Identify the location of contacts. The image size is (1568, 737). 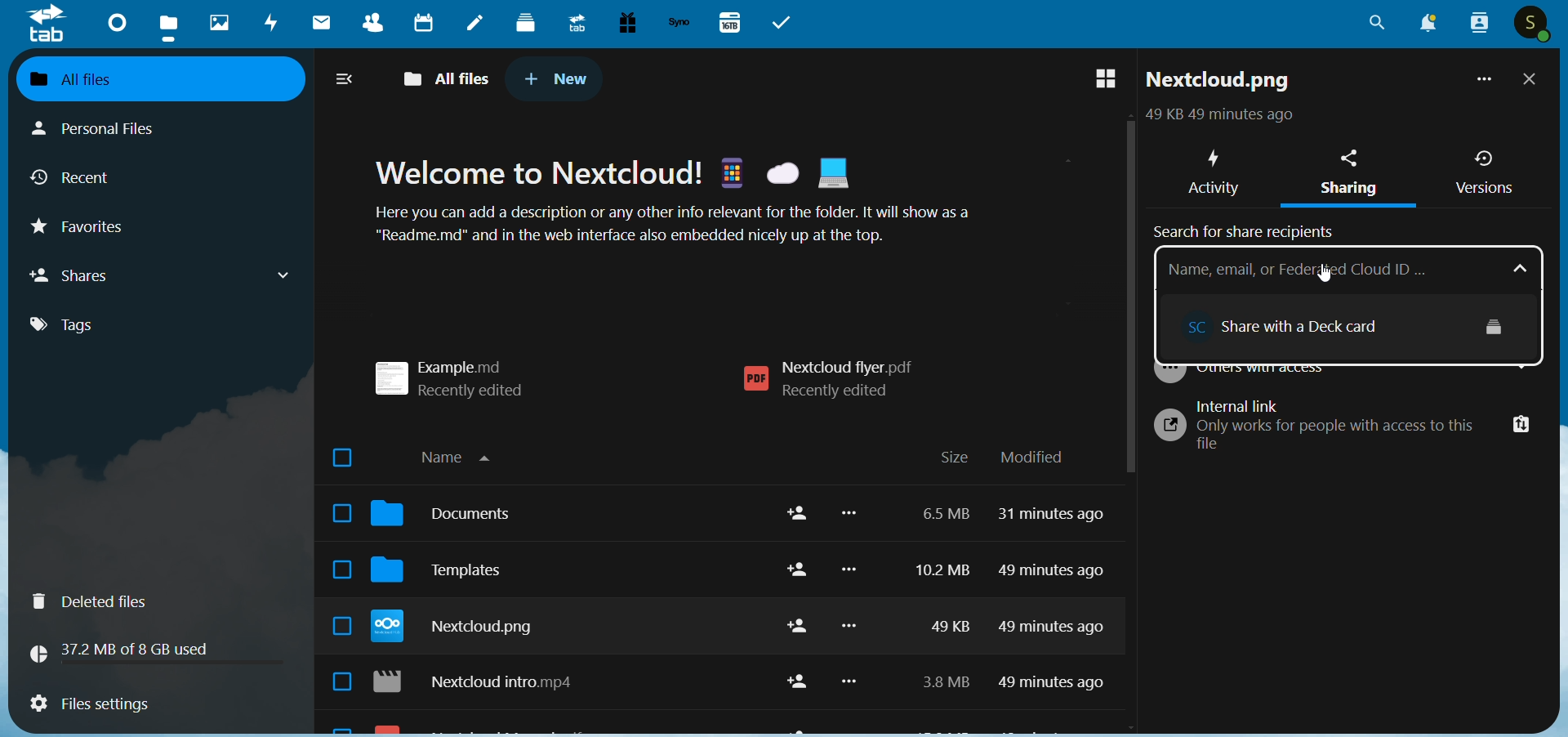
(364, 25).